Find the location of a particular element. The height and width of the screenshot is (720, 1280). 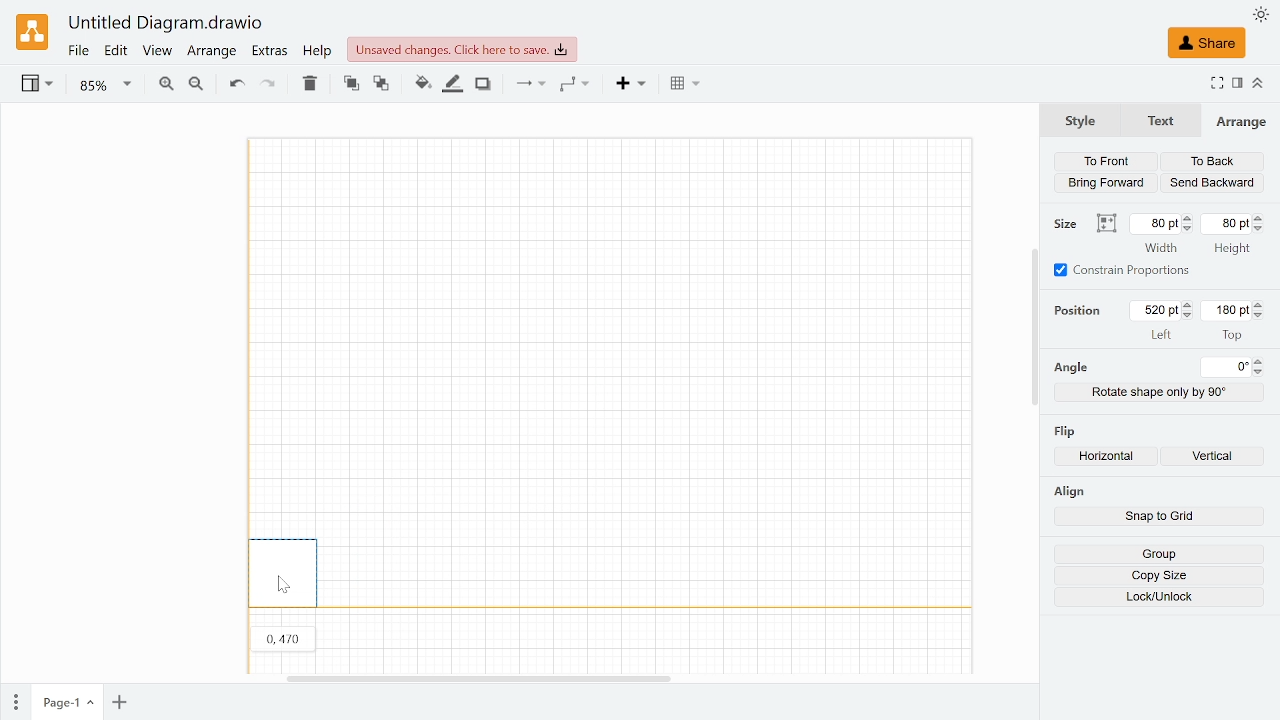

Increase height is located at coordinates (1262, 217).